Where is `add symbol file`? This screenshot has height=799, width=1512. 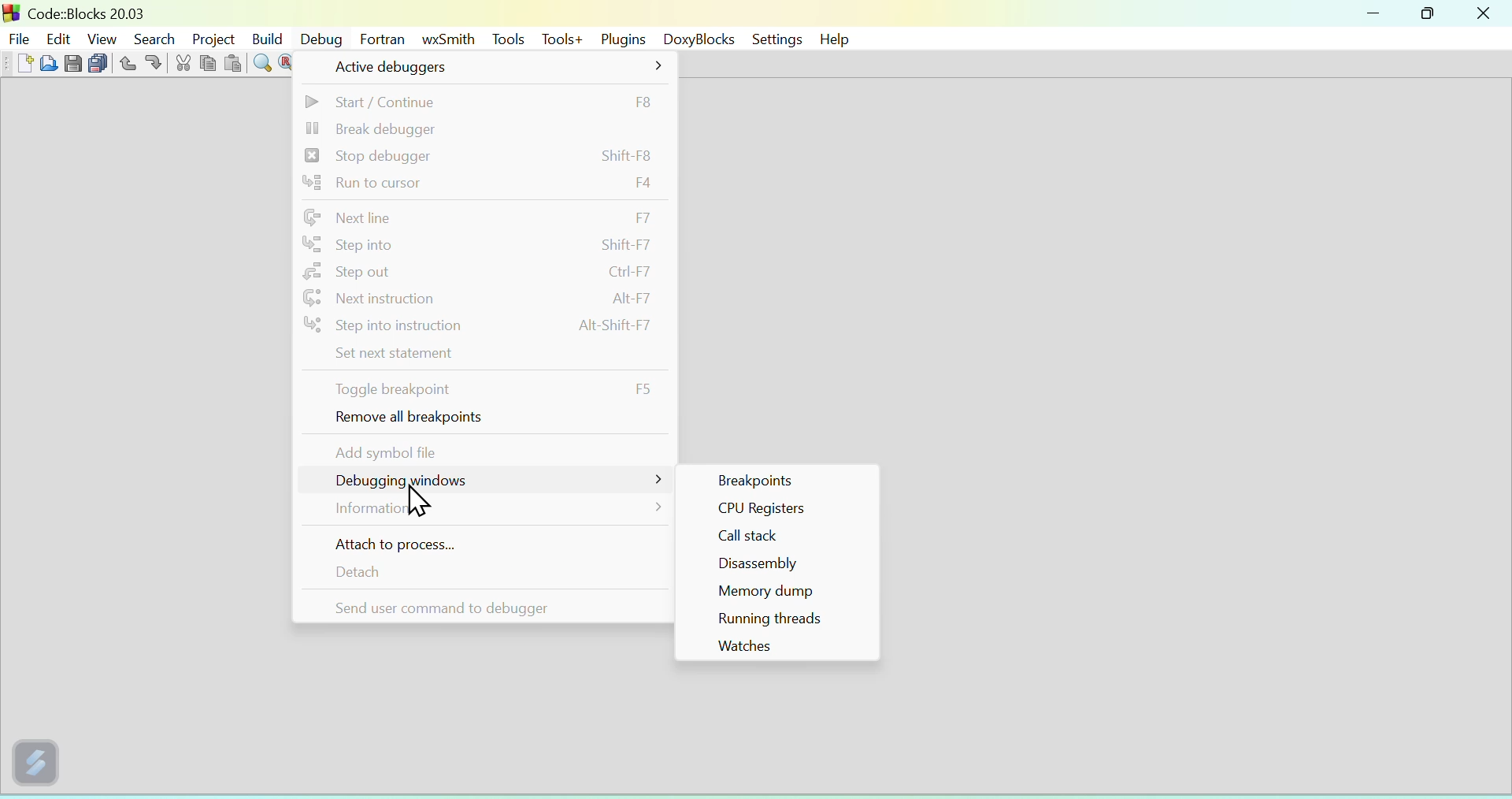 add symbol file is located at coordinates (481, 451).